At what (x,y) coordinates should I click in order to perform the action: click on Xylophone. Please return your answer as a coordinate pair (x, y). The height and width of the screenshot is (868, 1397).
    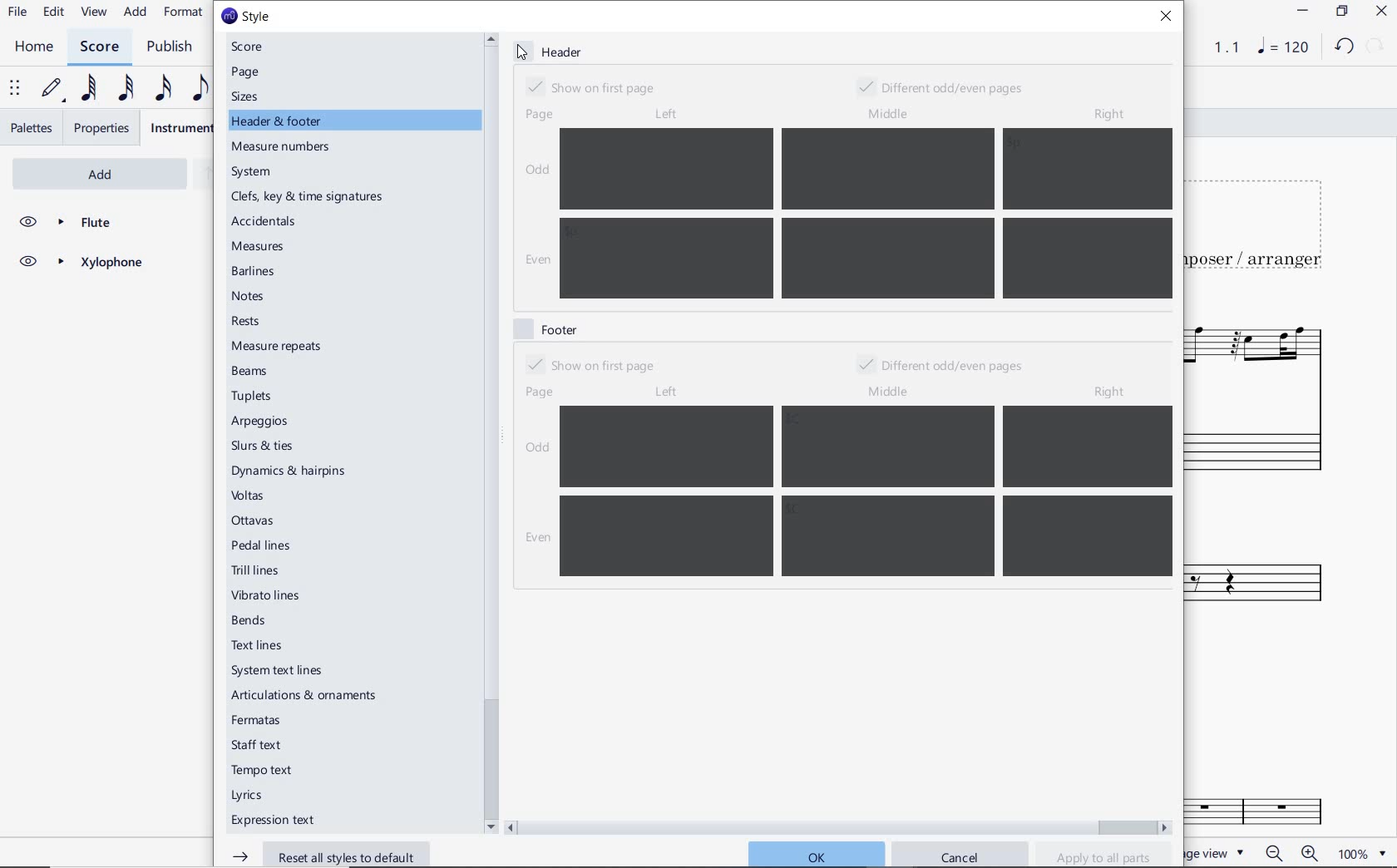
    Looking at the image, I should click on (1272, 588).